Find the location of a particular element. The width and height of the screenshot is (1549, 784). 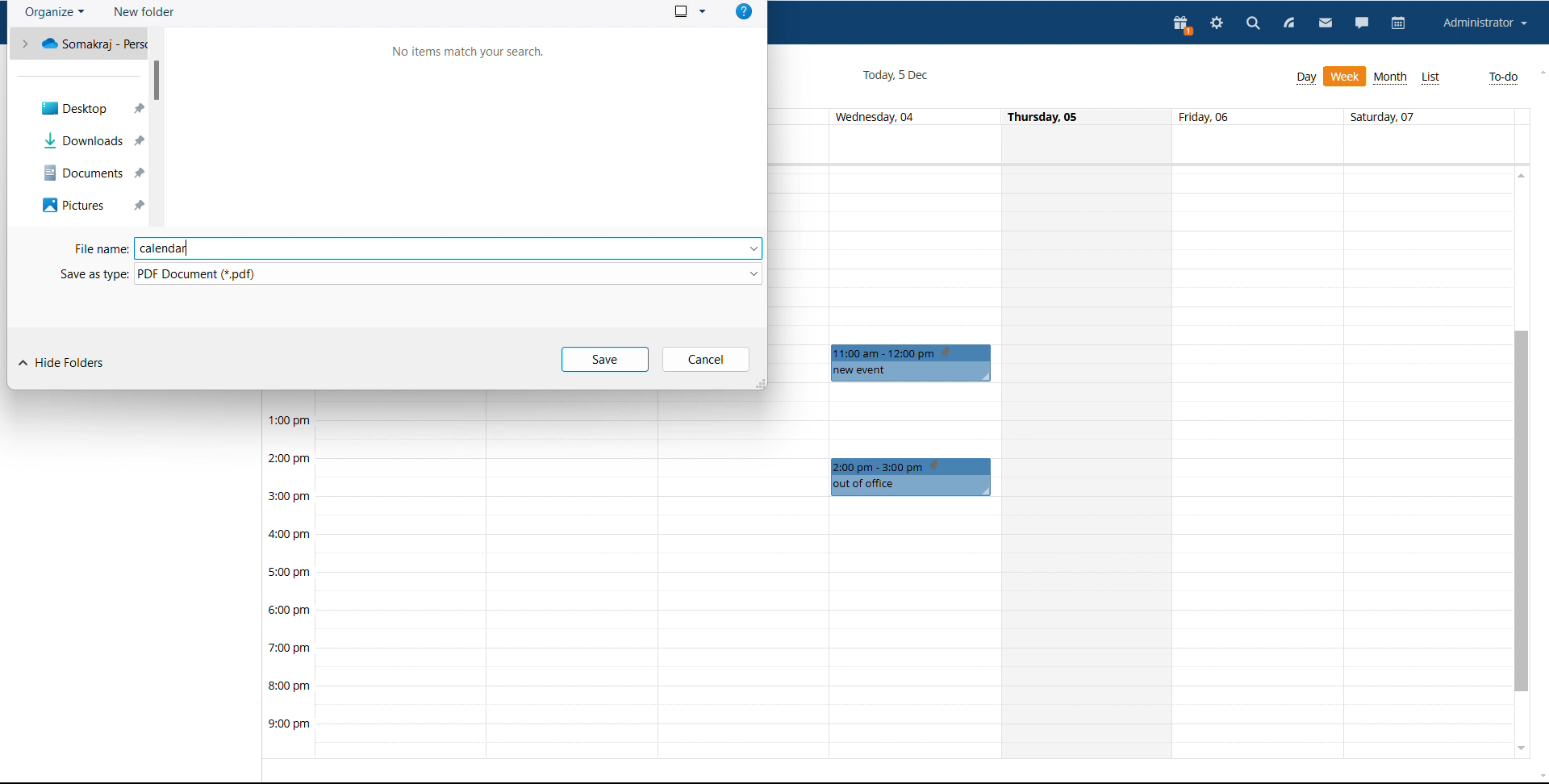

scroll down is located at coordinates (1519, 748).